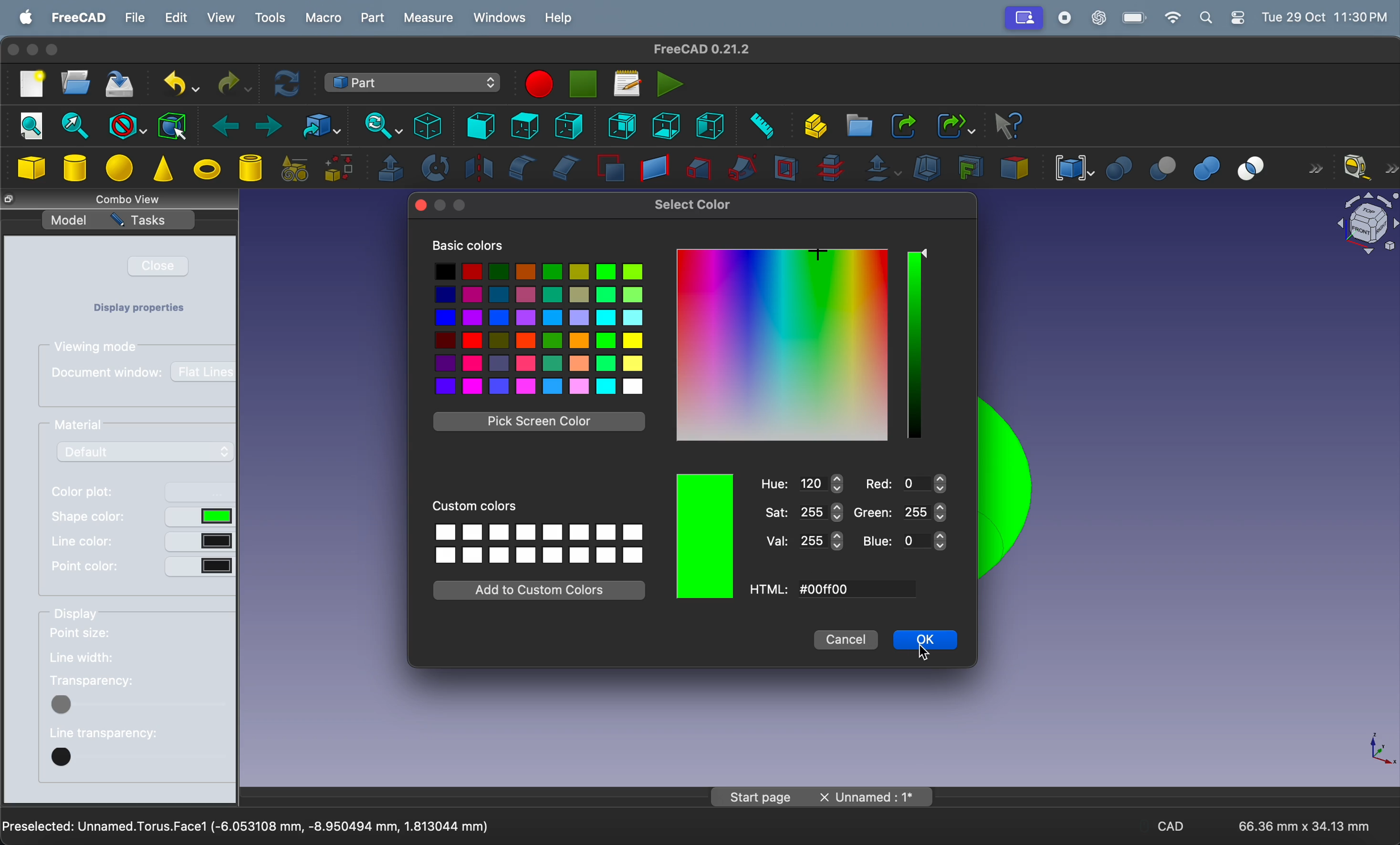 This screenshot has width=1400, height=845. Describe the element at coordinates (710, 127) in the screenshot. I see `left view` at that location.